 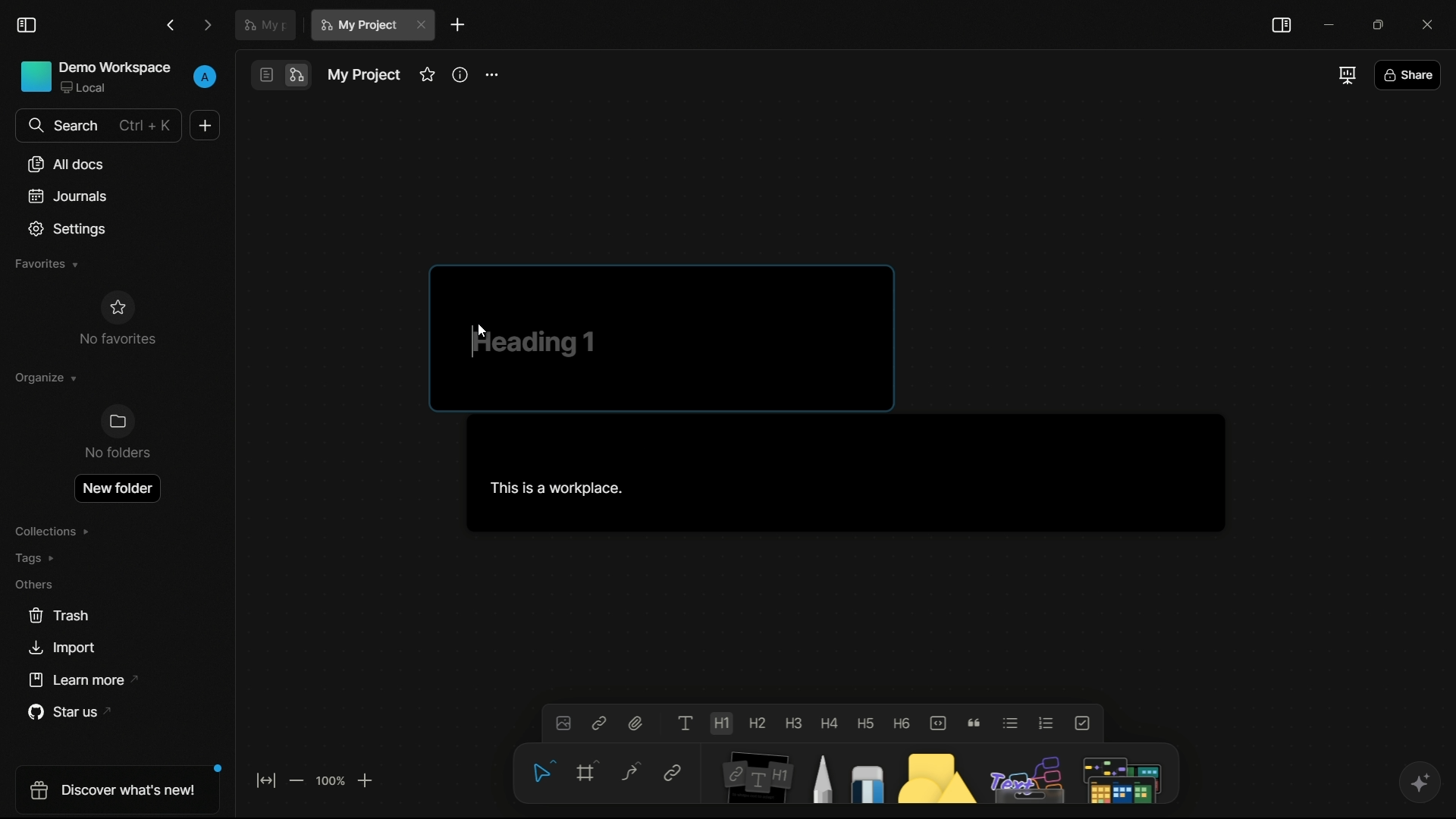 What do you see at coordinates (359, 26) in the screenshot?
I see `current document name` at bounding box center [359, 26].